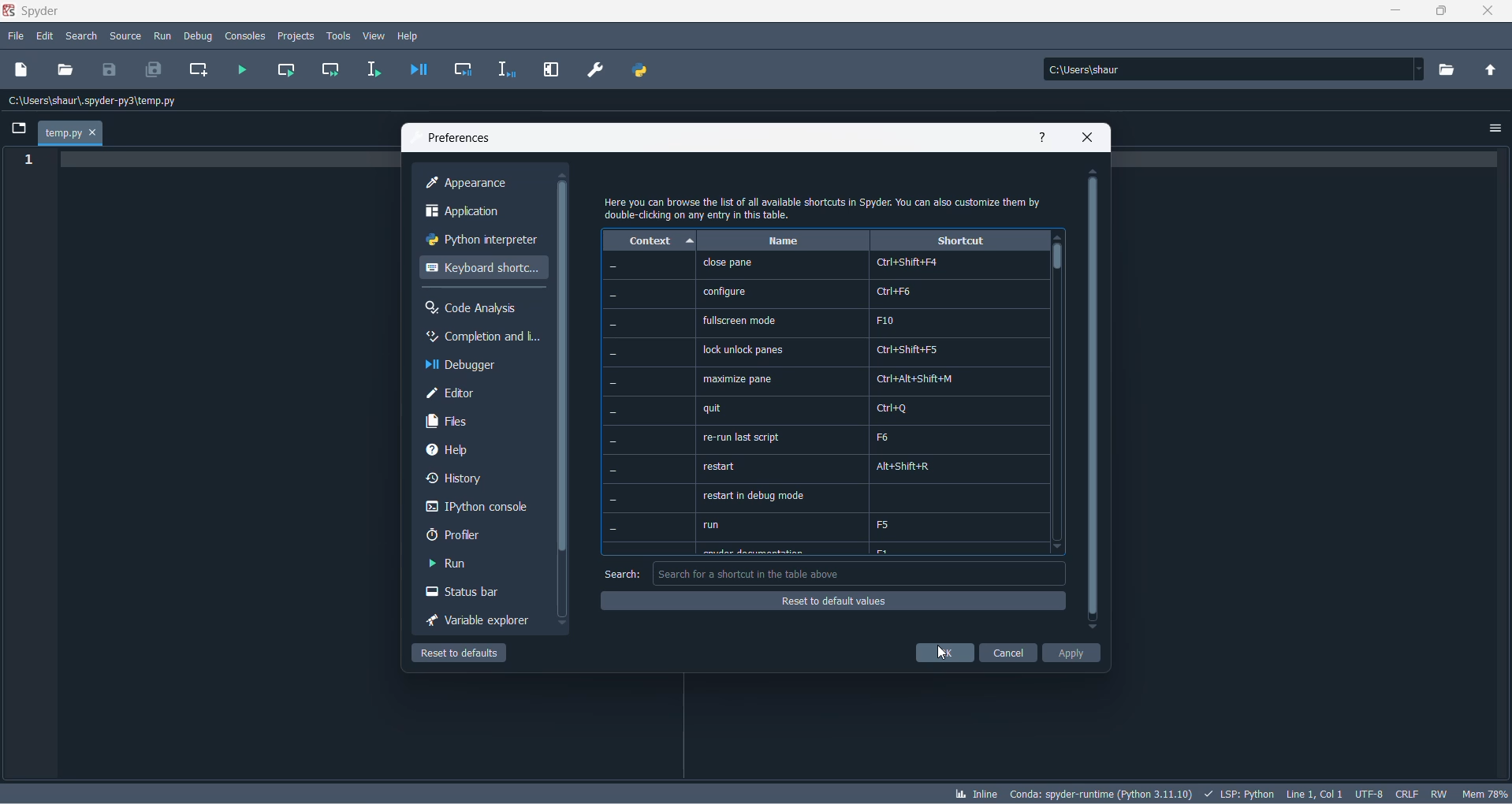  I want to click on file, so click(15, 37).